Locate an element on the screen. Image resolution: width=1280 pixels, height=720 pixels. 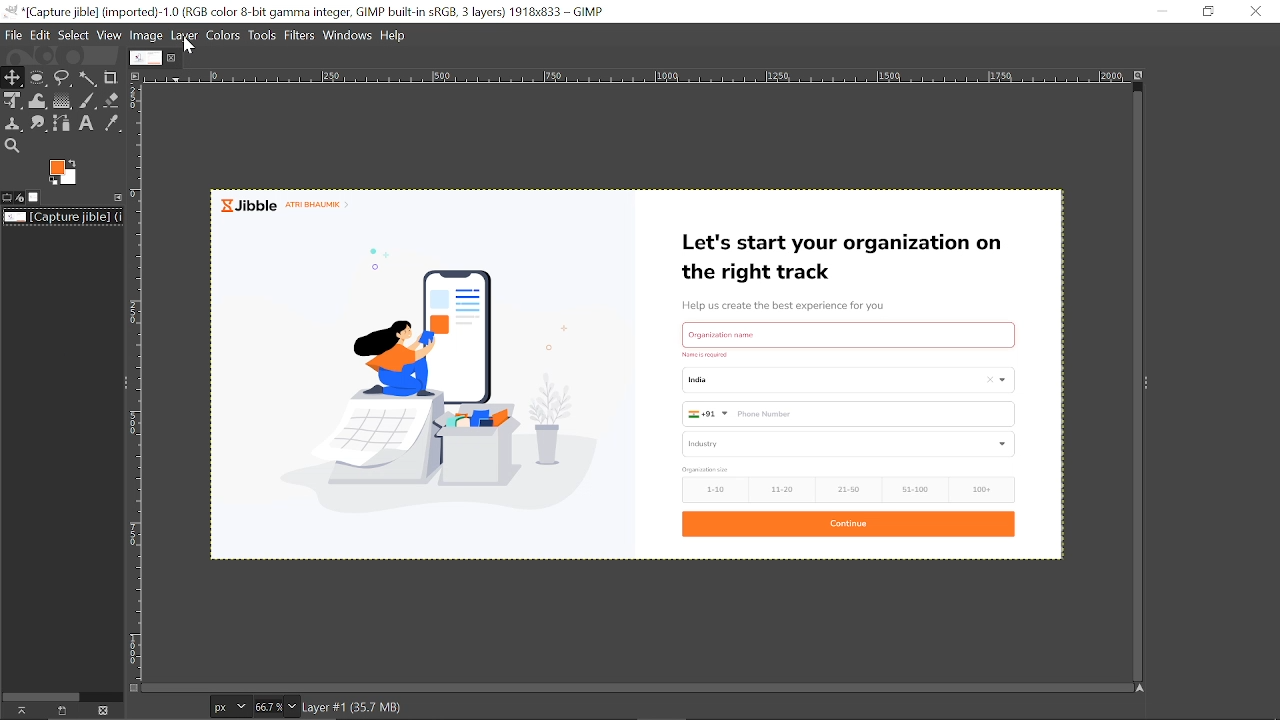
Image info is located at coordinates (410, 706).